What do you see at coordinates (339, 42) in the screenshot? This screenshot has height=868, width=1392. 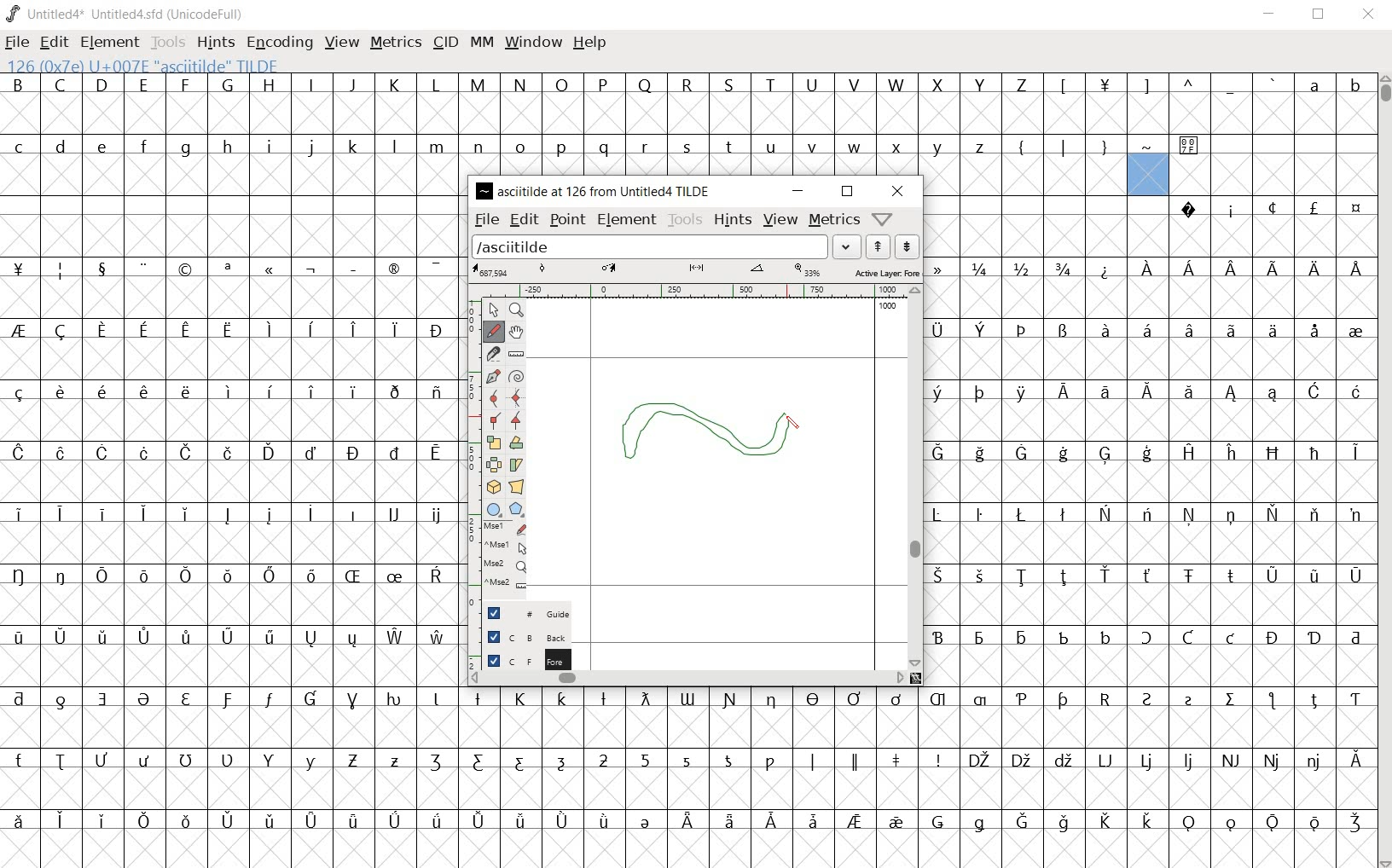 I see `VIEW` at bounding box center [339, 42].